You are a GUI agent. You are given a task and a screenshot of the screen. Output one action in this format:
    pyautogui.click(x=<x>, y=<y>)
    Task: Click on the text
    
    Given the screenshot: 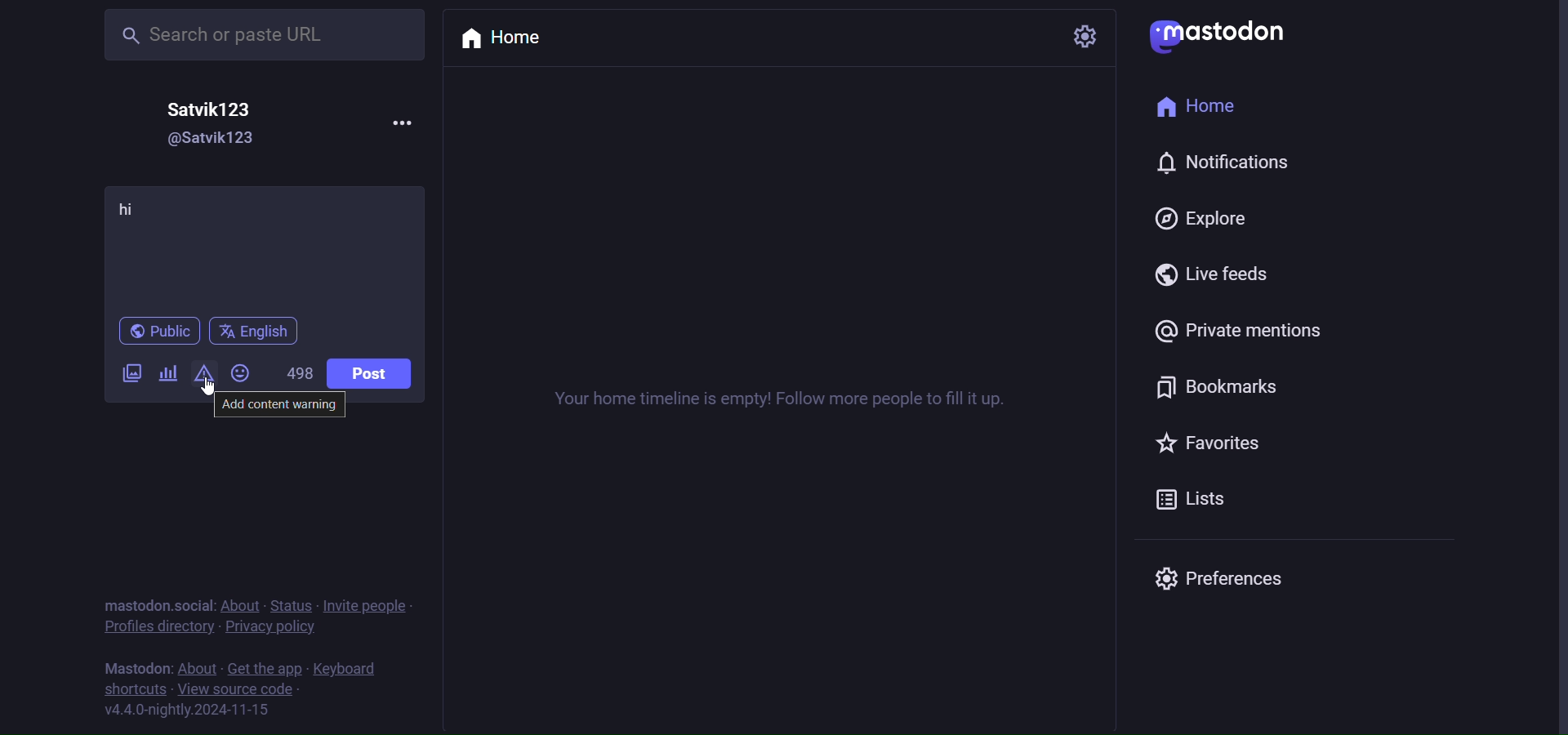 What is the action you would take?
    pyautogui.click(x=158, y=605)
    